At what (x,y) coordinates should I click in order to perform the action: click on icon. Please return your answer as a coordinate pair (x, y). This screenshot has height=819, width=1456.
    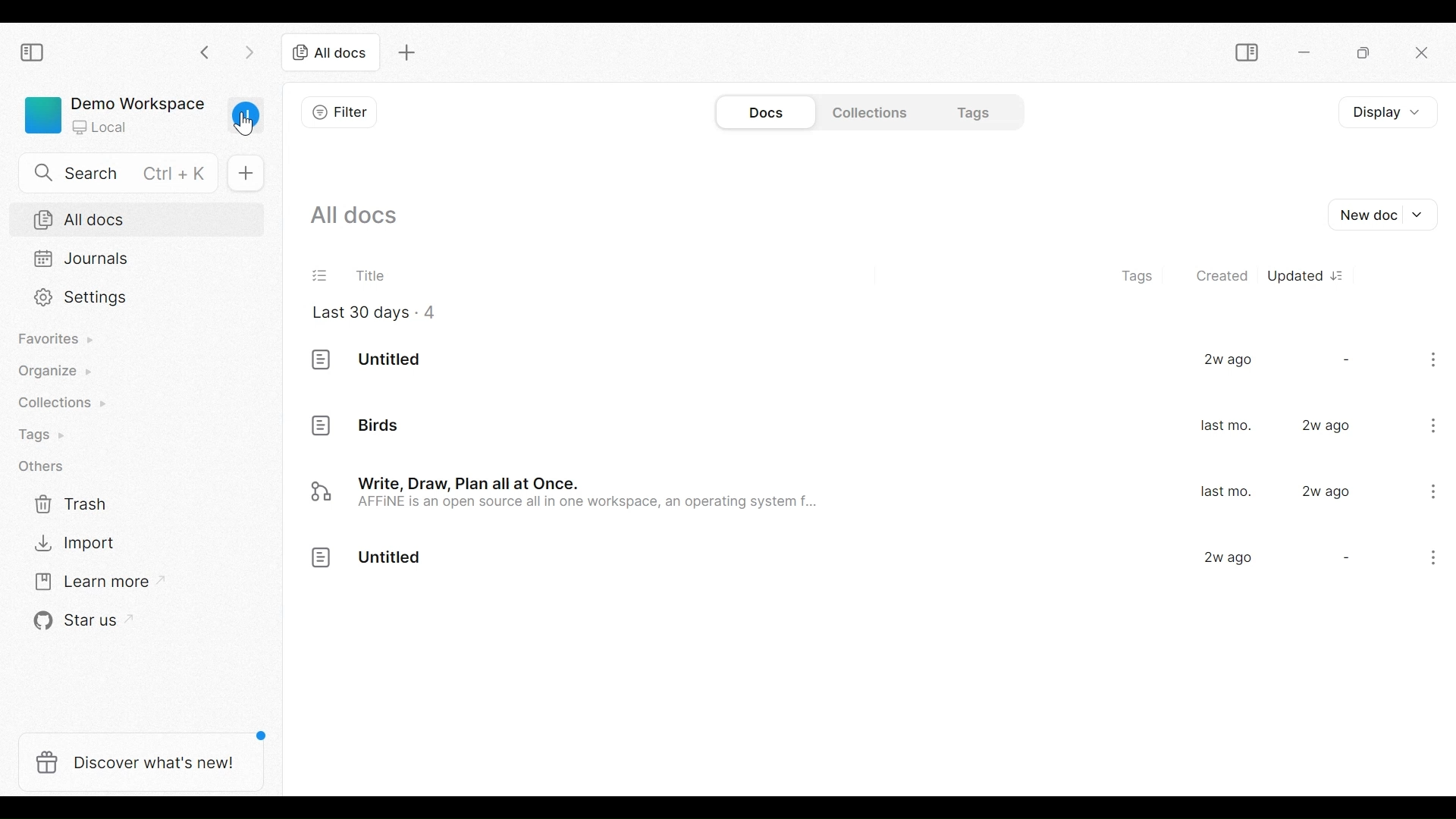
    Looking at the image, I should click on (320, 492).